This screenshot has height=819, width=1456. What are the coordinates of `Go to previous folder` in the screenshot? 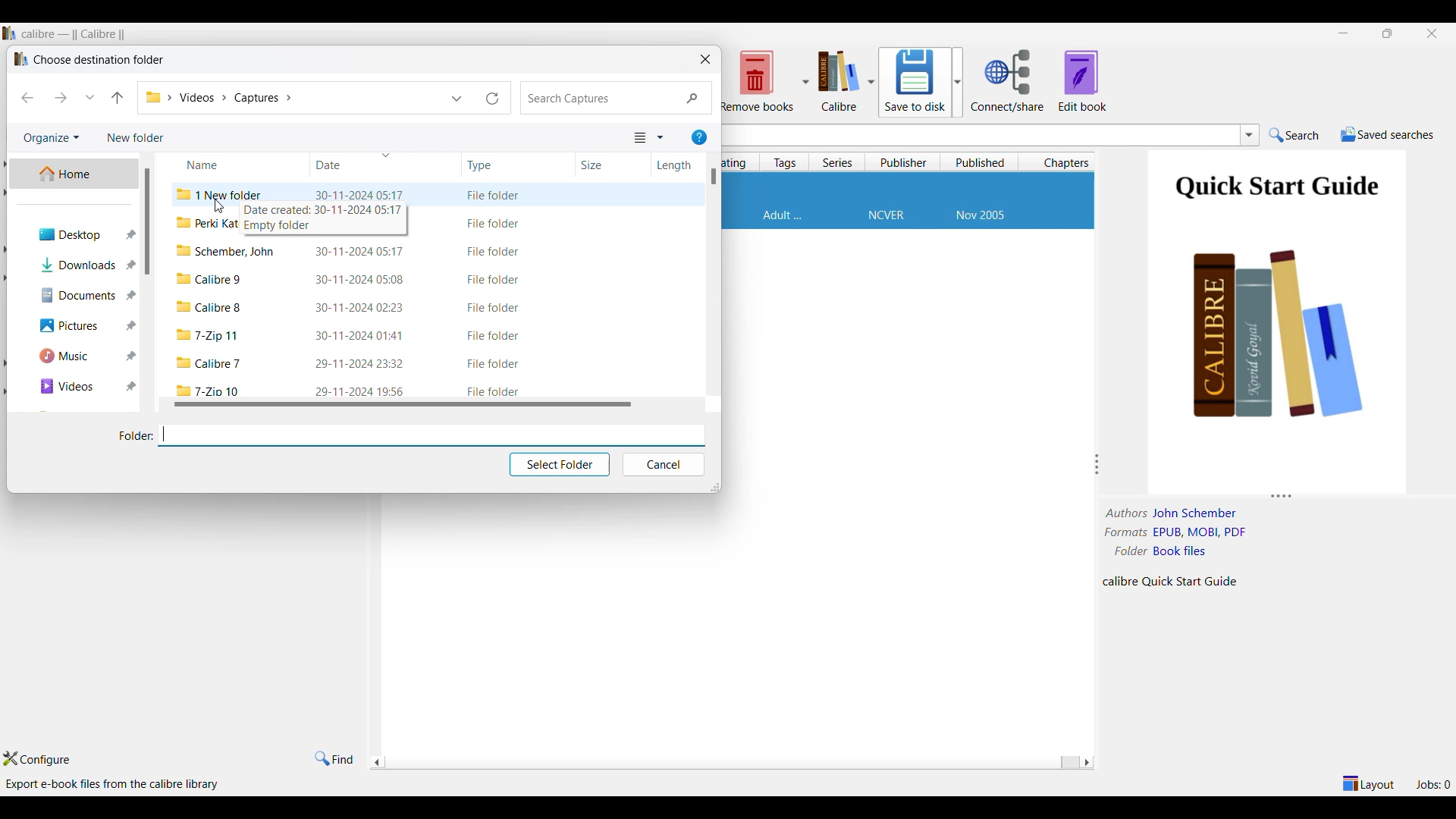 It's located at (117, 98).